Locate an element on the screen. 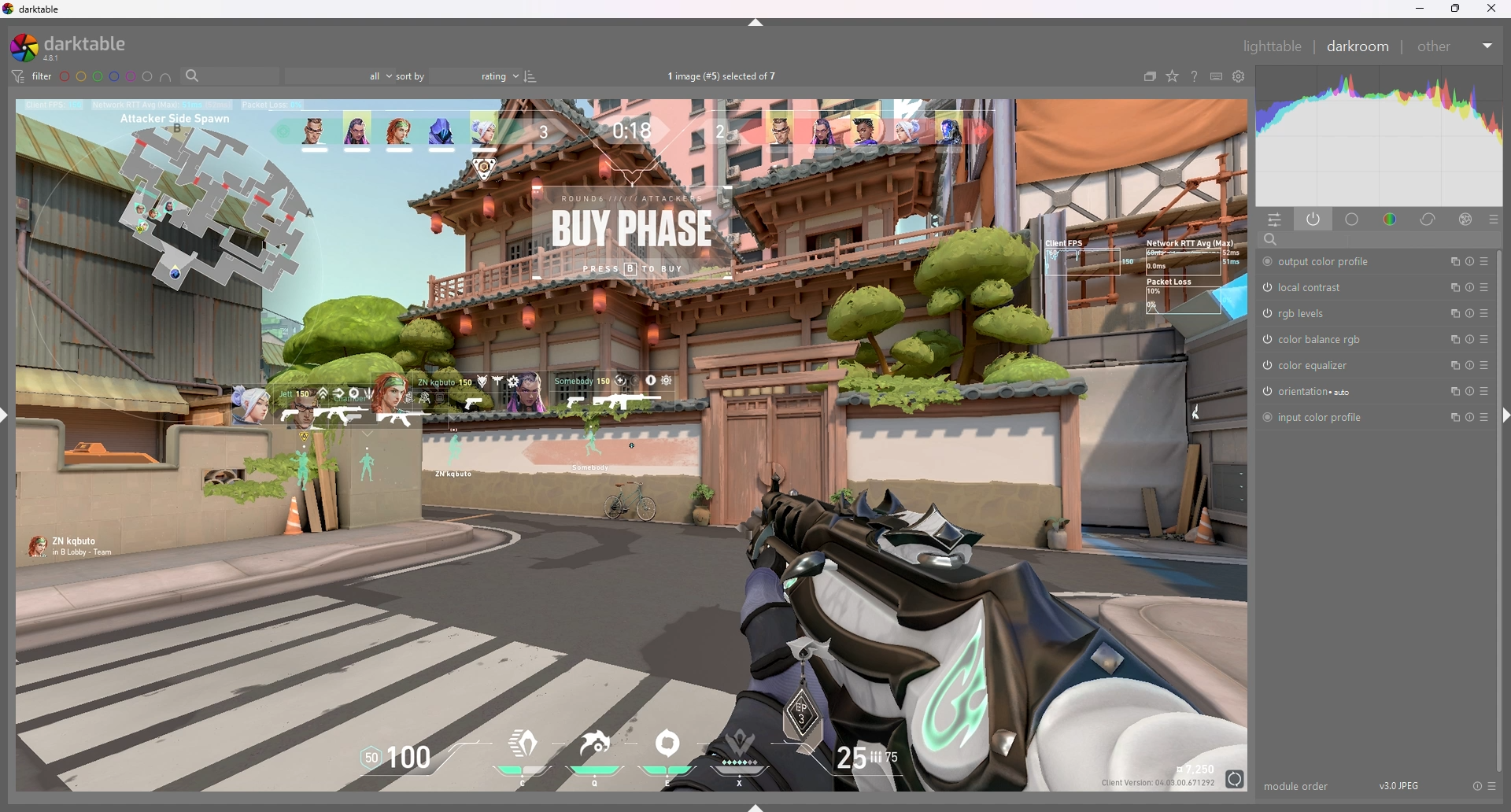 Image resolution: width=1511 pixels, height=812 pixels. presets is located at coordinates (1484, 261).